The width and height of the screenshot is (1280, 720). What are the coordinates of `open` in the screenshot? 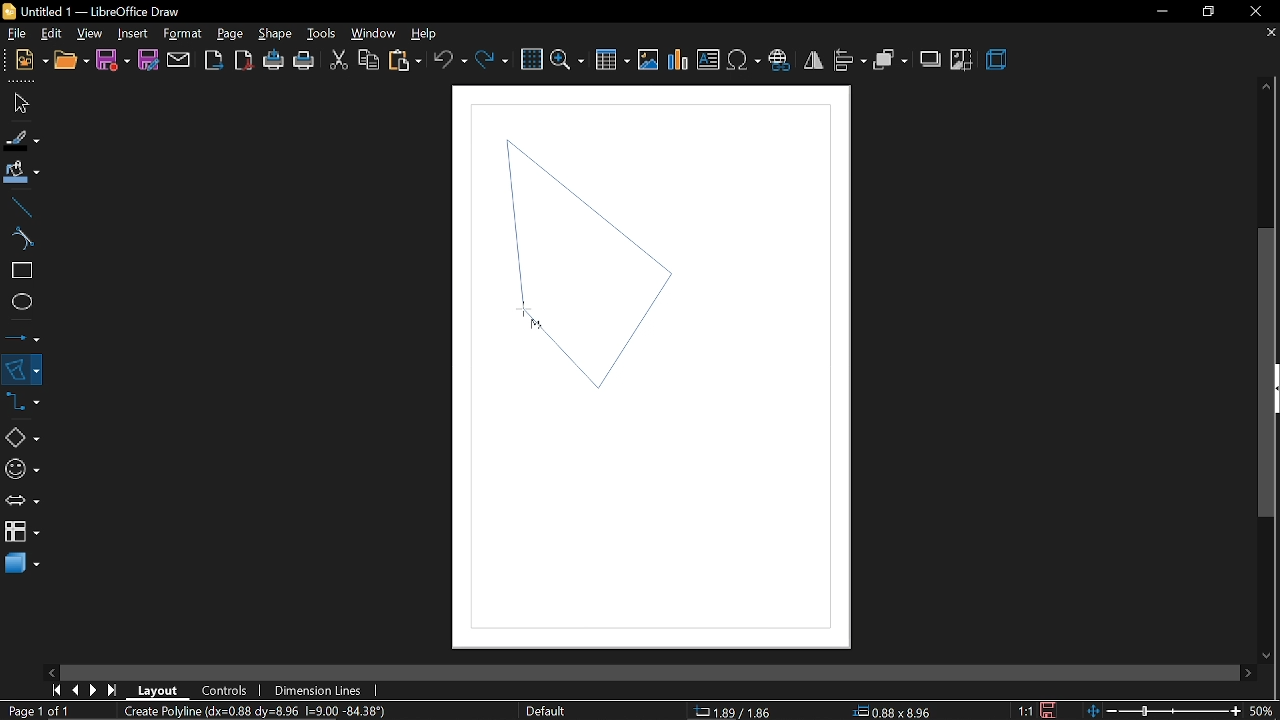 It's located at (70, 61).